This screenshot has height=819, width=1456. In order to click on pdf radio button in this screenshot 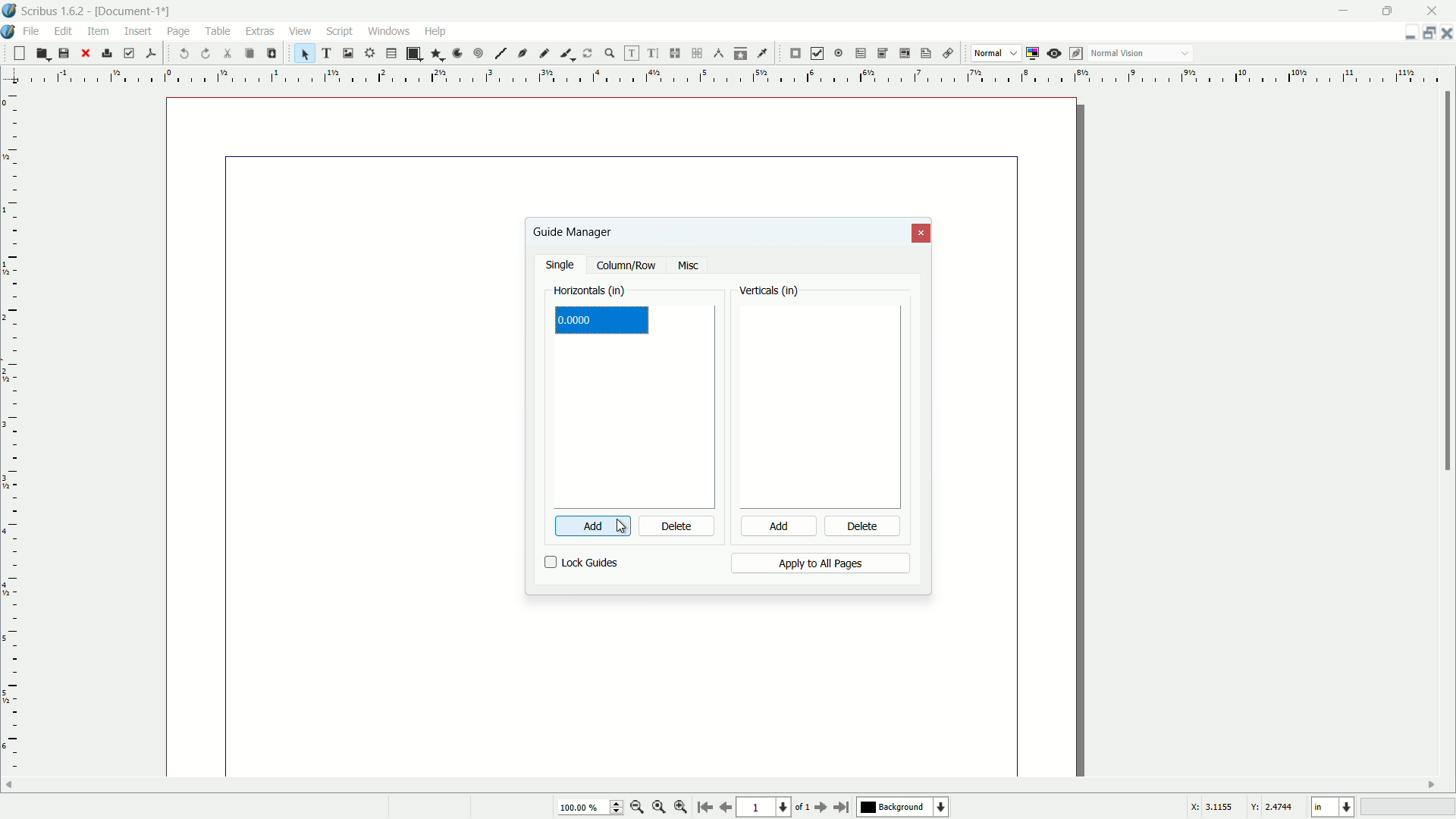, I will do `click(837, 54)`.